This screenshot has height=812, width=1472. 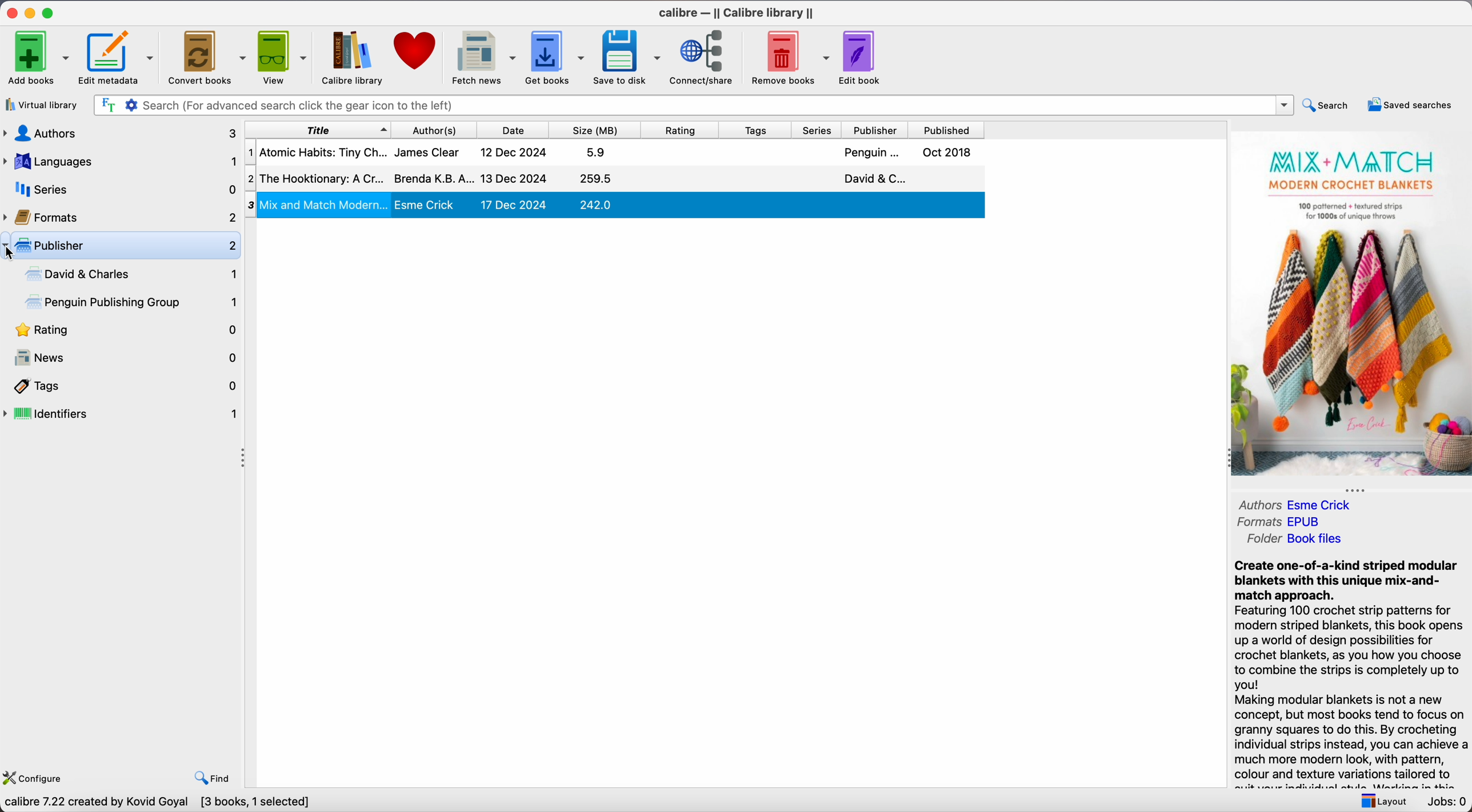 What do you see at coordinates (1351, 305) in the screenshot?
I see `book cover preview` at bounding box center [1351, 305].